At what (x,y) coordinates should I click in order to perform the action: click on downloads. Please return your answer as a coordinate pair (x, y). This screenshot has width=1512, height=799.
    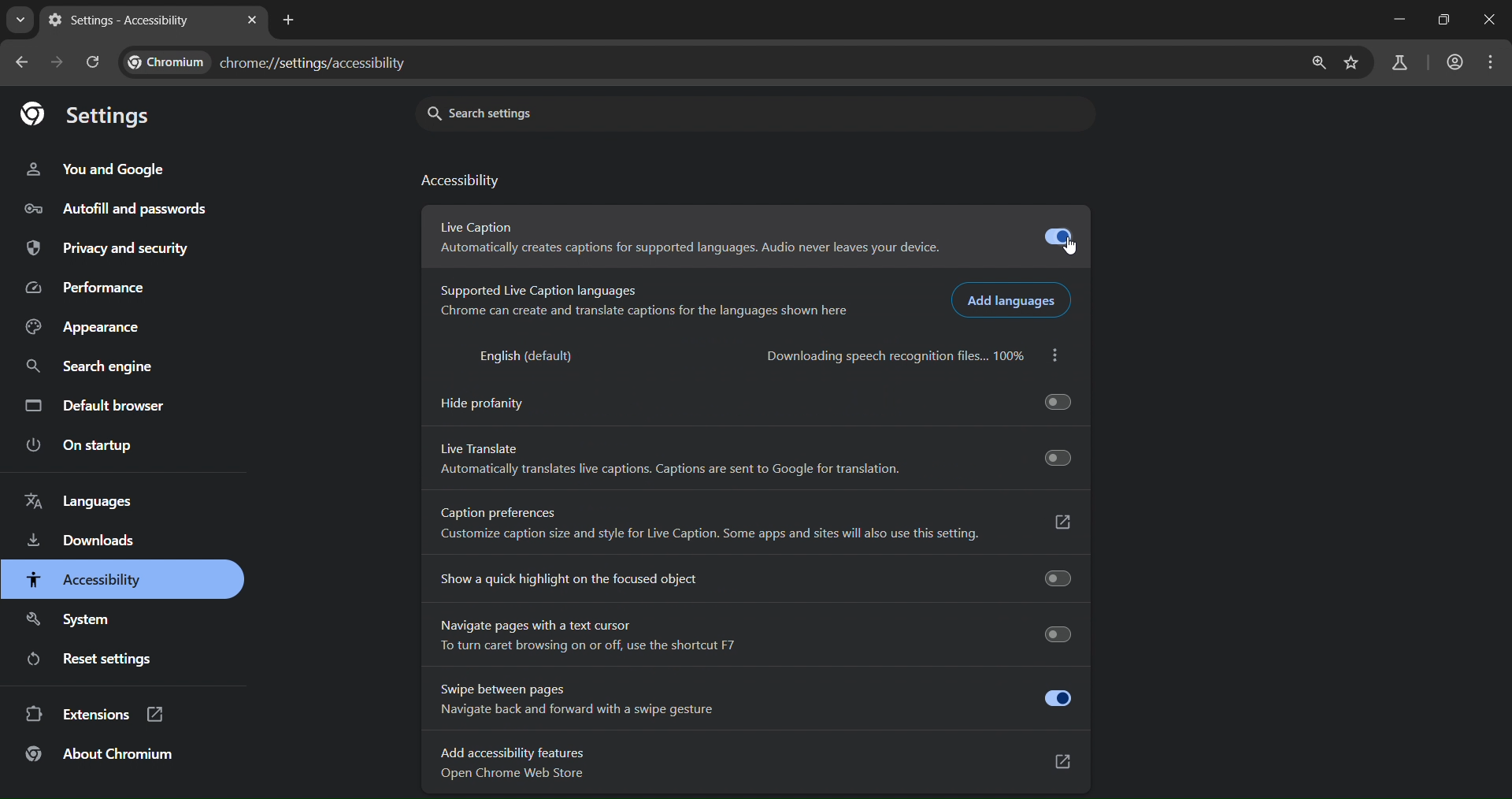
    Looking at the image, I should click on (89, 541).